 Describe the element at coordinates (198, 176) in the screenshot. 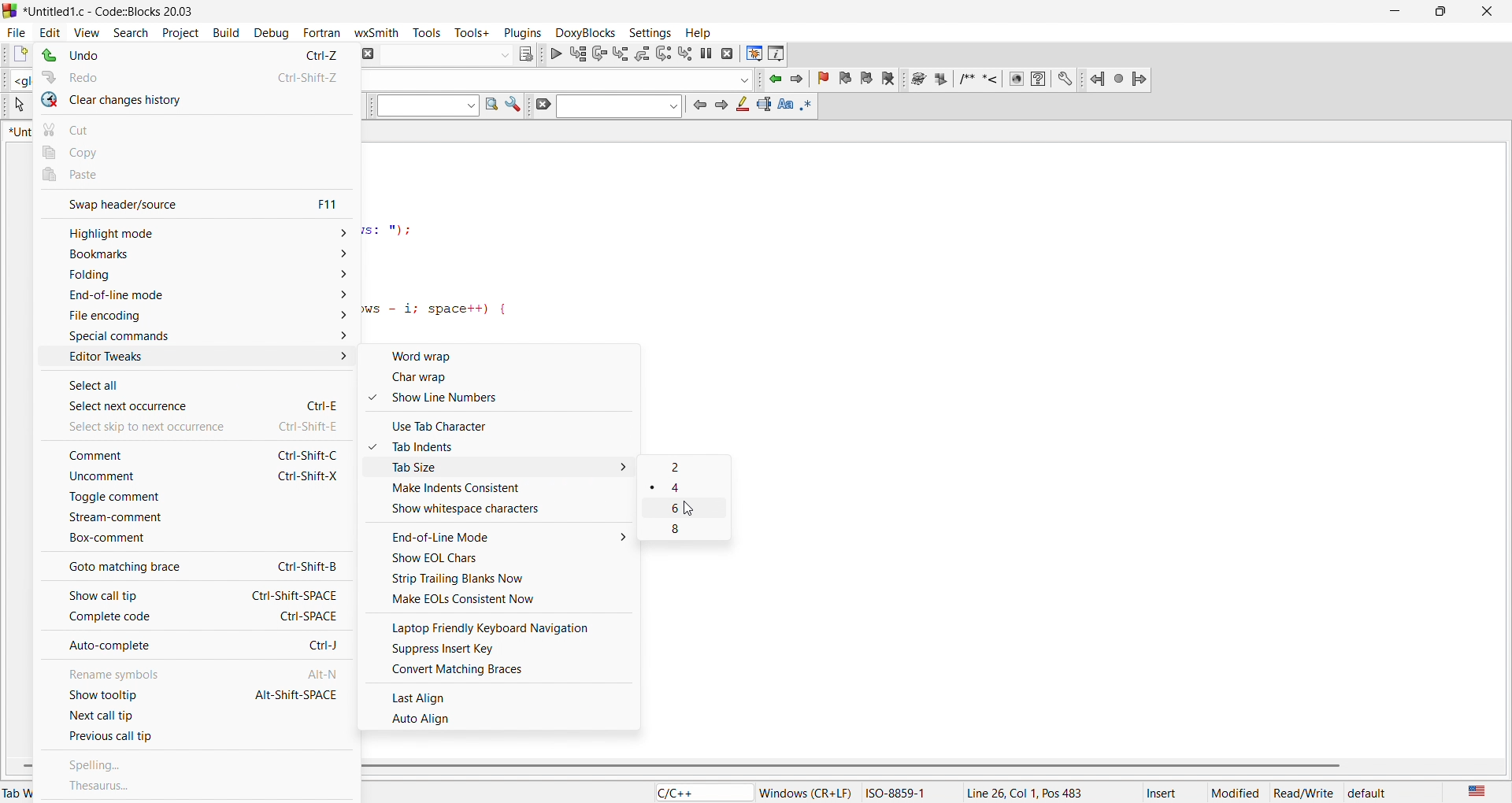

I see `paste` at that location.